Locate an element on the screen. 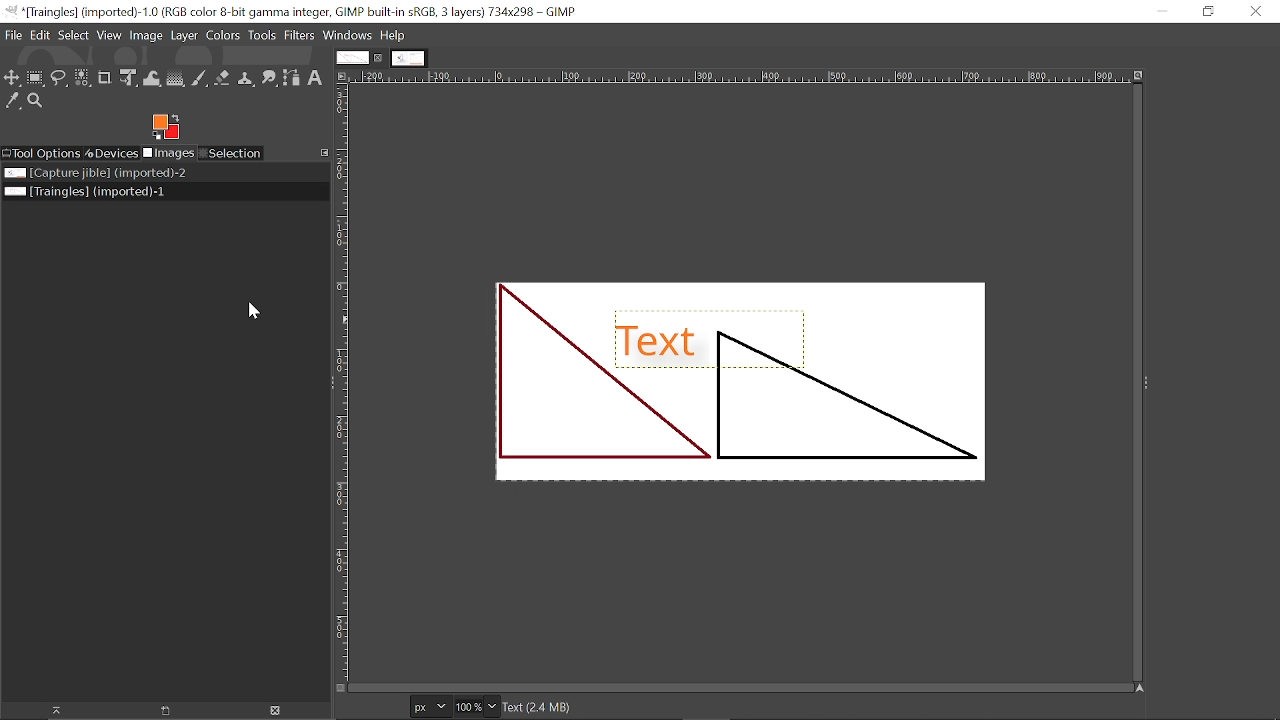 This screenshot has width=1280, height=720. Help is located at coordinates (393, 35).